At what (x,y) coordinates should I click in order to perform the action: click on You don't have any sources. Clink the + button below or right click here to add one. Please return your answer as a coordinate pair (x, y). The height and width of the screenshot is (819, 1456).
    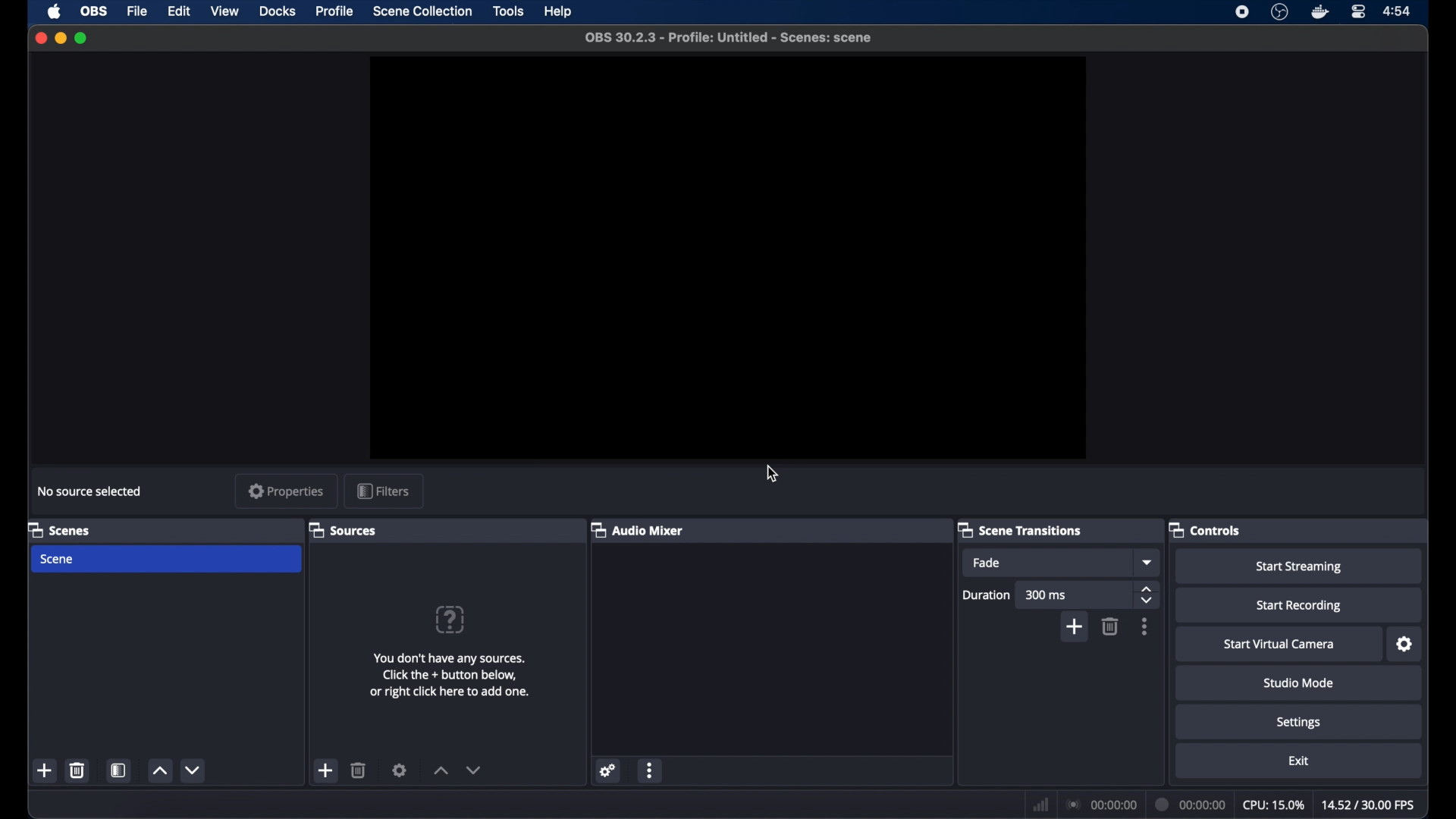
    Looking at the image, I should click on (450, 676).